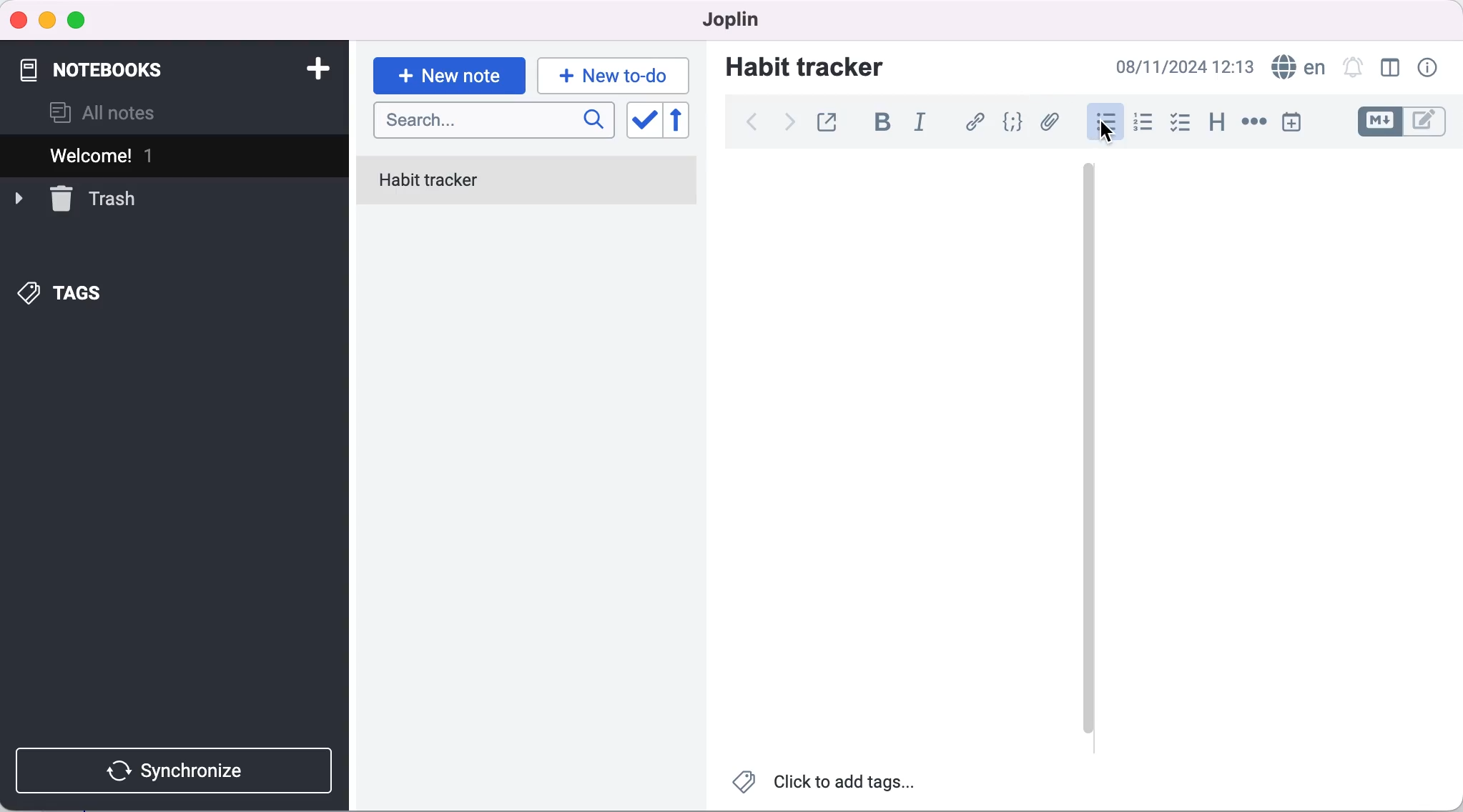 The image size is (1463, 812). What do you see at coordinates (977, 122) in the screenshot?
I see `hyperlink` at bounding box center [977, 122].